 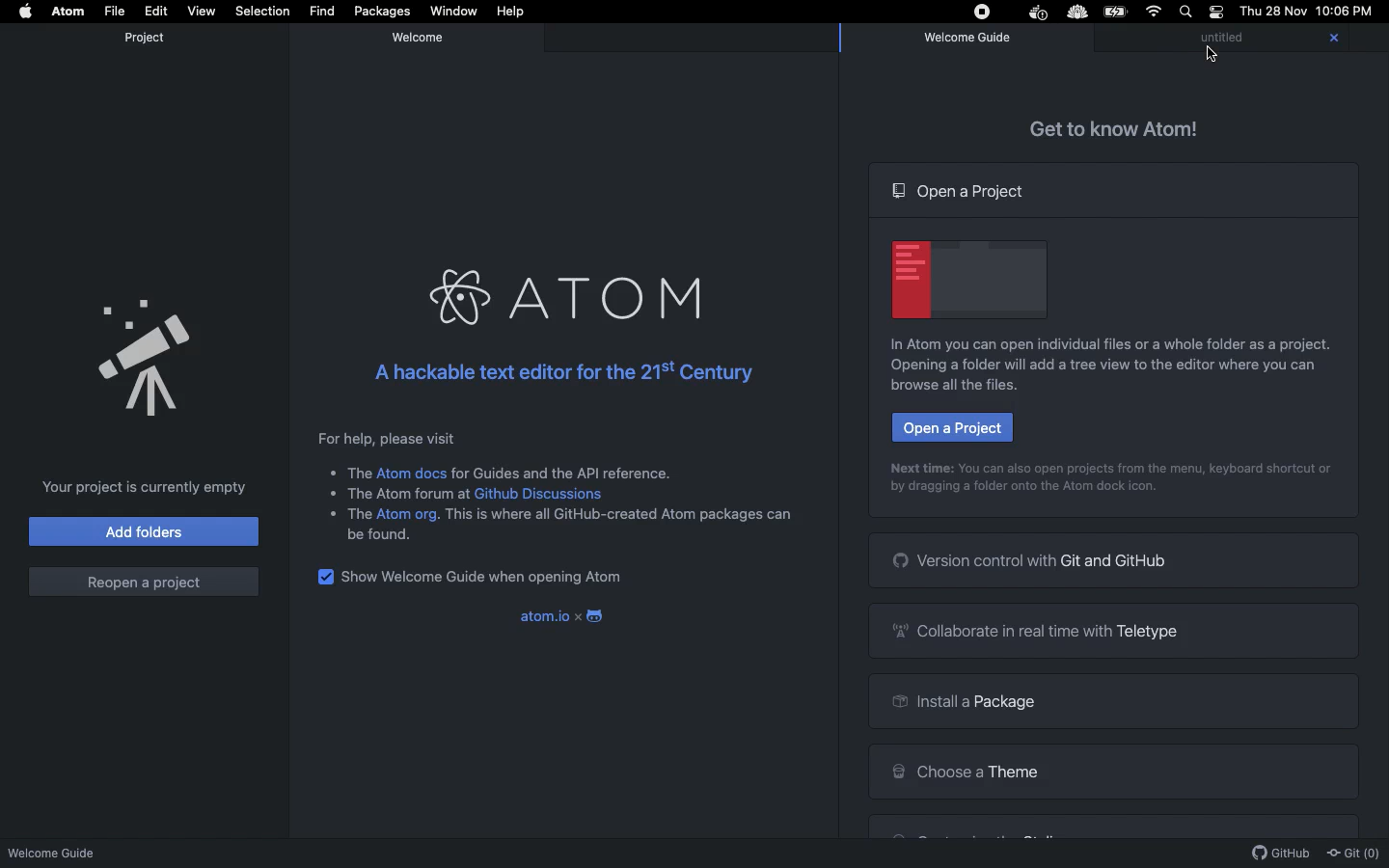 What do you see at coordinates (1108, 343) in the screenshot?
I see `Instructional text` at bounding box center [1108, 343].